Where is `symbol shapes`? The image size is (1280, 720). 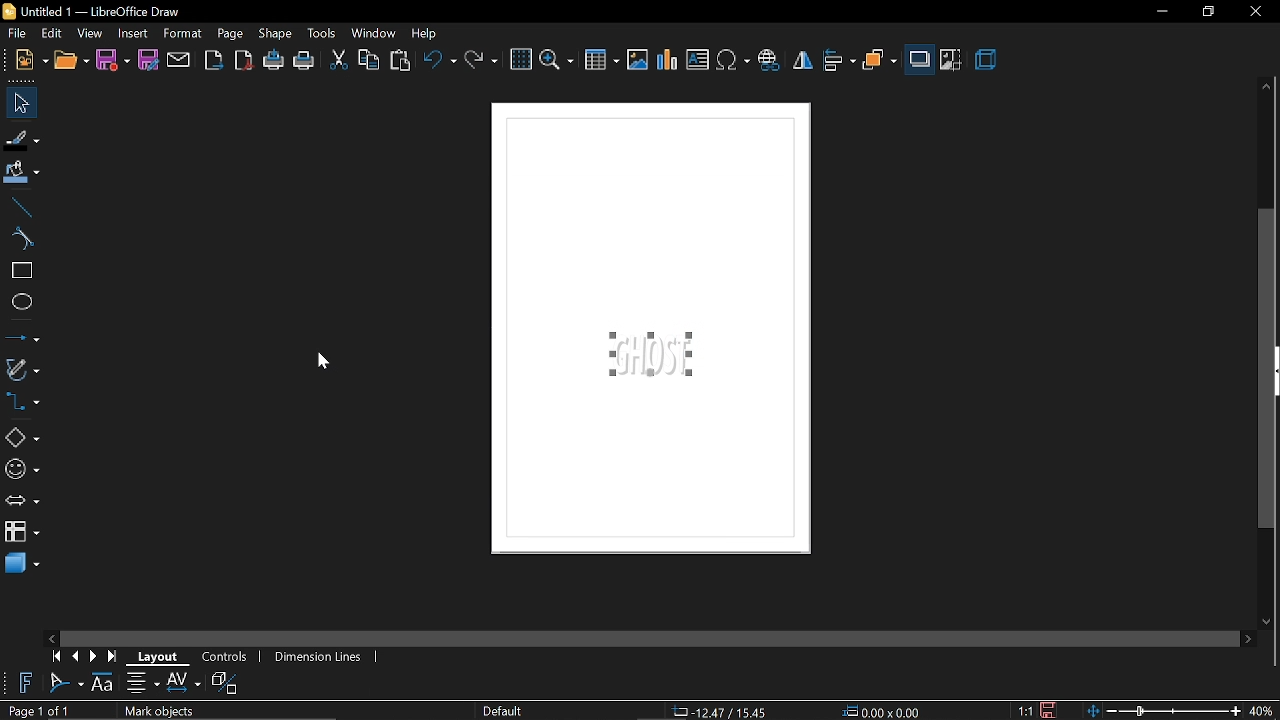 symbol shapes is located at coordinates (22, 471).